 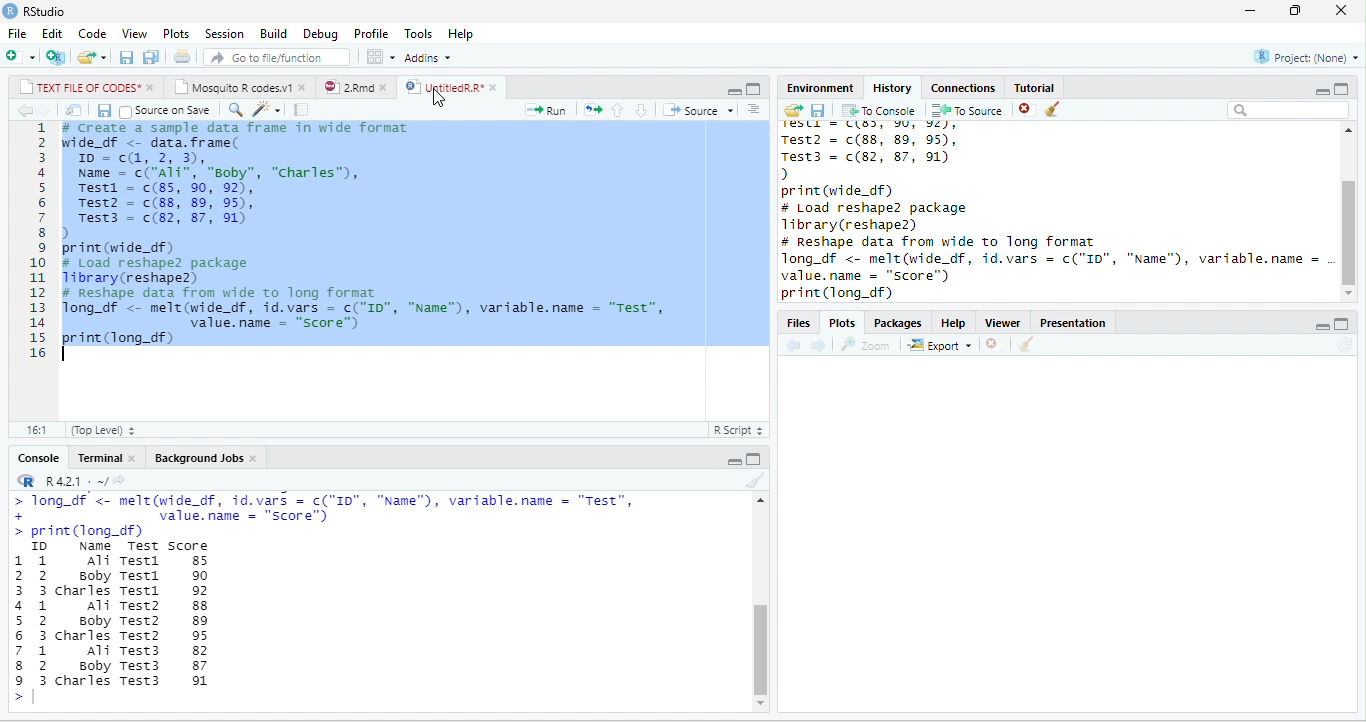 What do you see at coordinates (18, 619) in the screenshot?
I see `123456789` at bounding box center [18, 619].